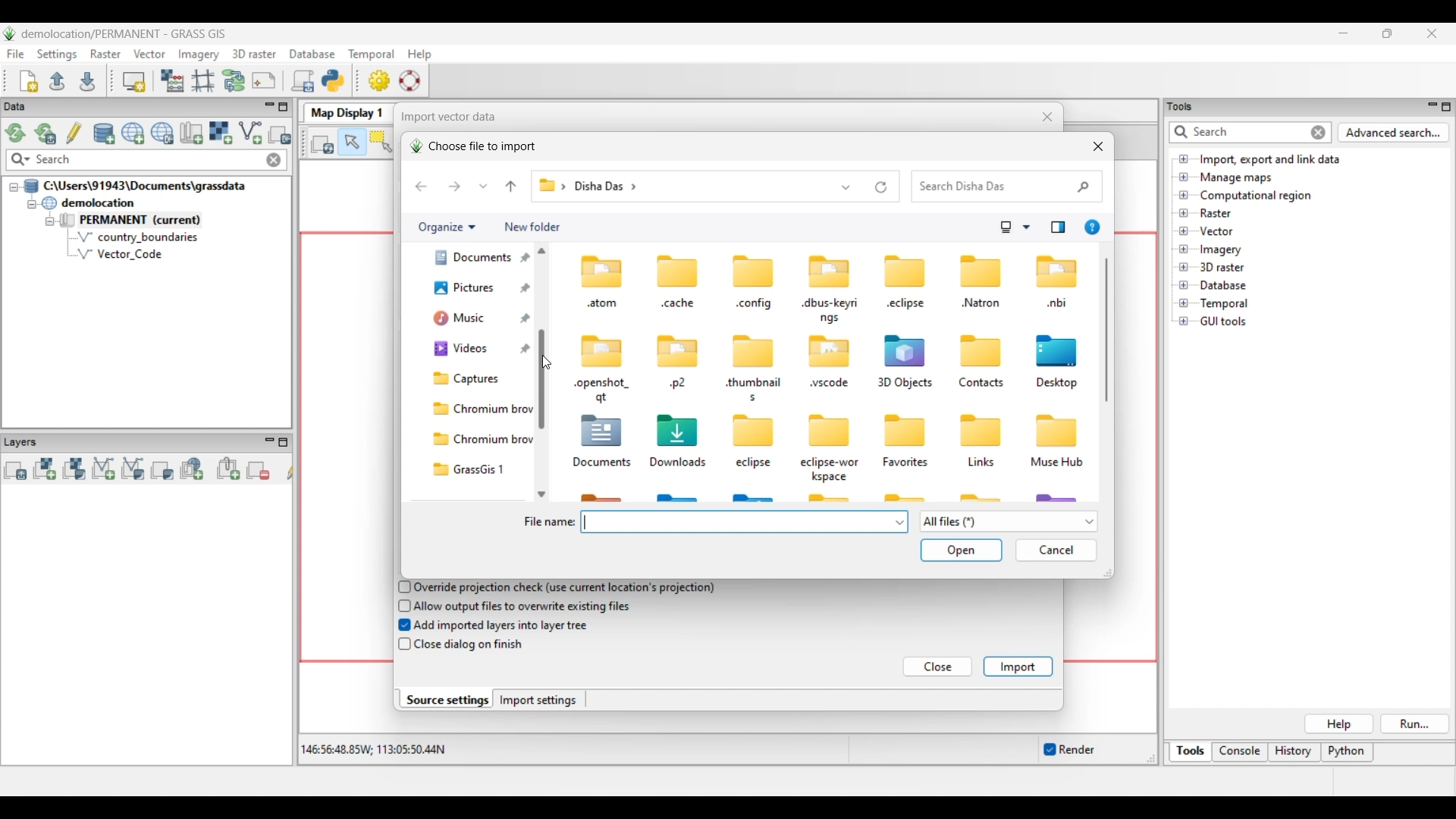 The image size is (1456, 819). Describe the element at coordinates (1007, 187) in the screenshot. I see `Quick search folder` at that location.